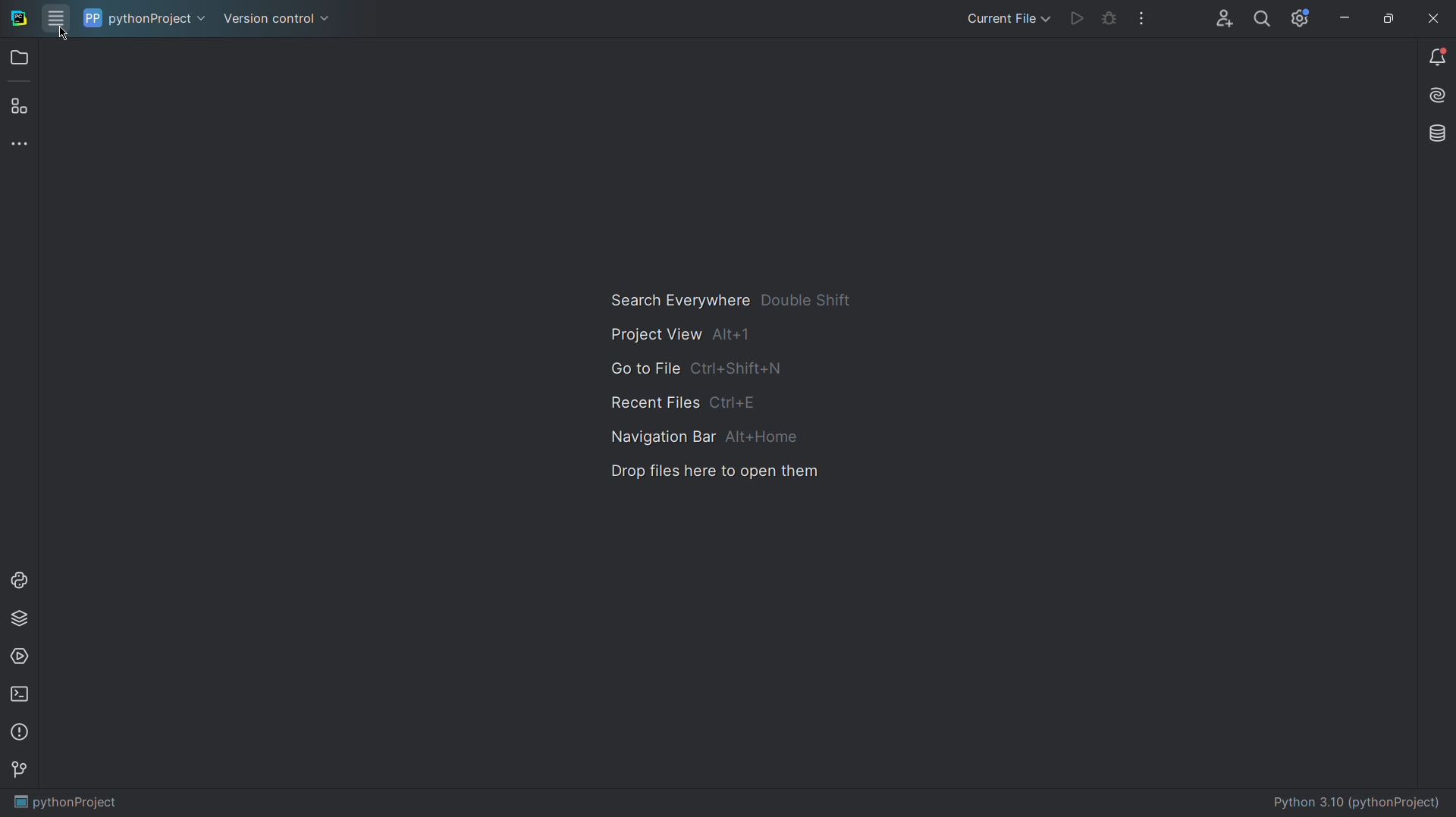 Image resolution: width=1456 pixels, height=817 pixels. Describe the element at coordinates (1432, 98) in the screenshot. I see `Install AI Assistant` at that location.